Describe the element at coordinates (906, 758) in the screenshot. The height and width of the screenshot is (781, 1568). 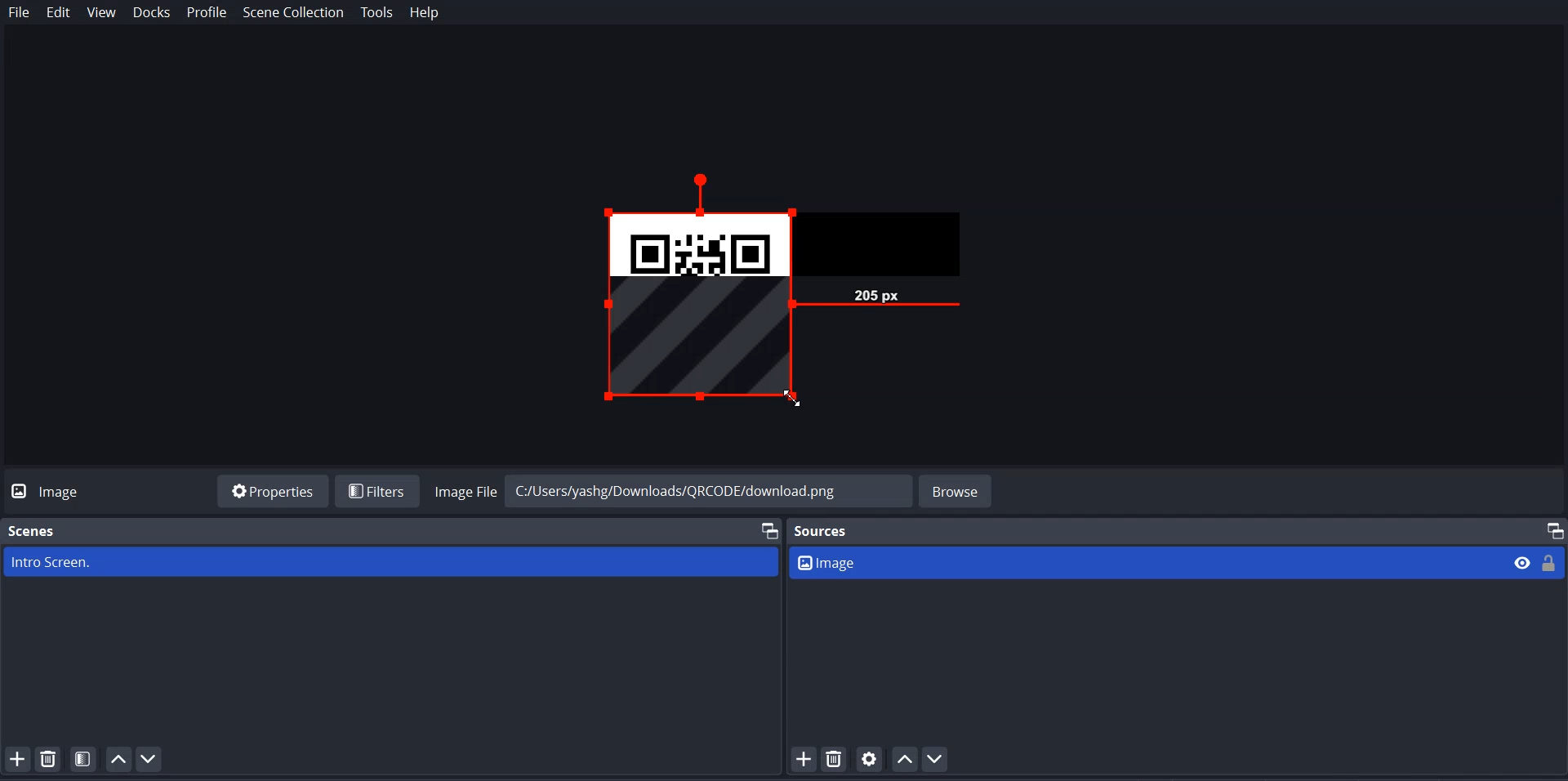
I see `Move Source Up` at that location.